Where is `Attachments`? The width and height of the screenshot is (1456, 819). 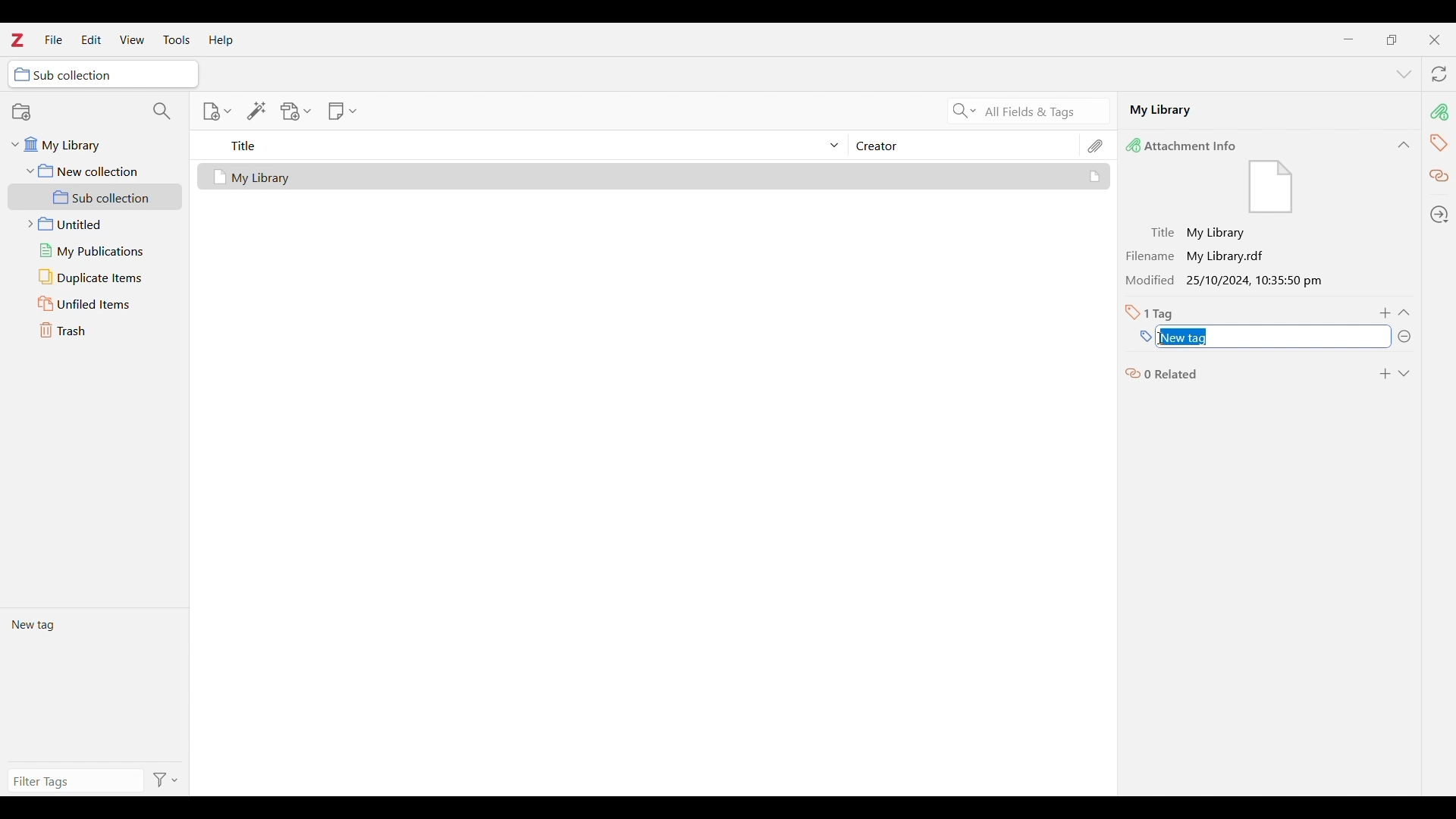
Attachments is located at coordinates (1097, 146).